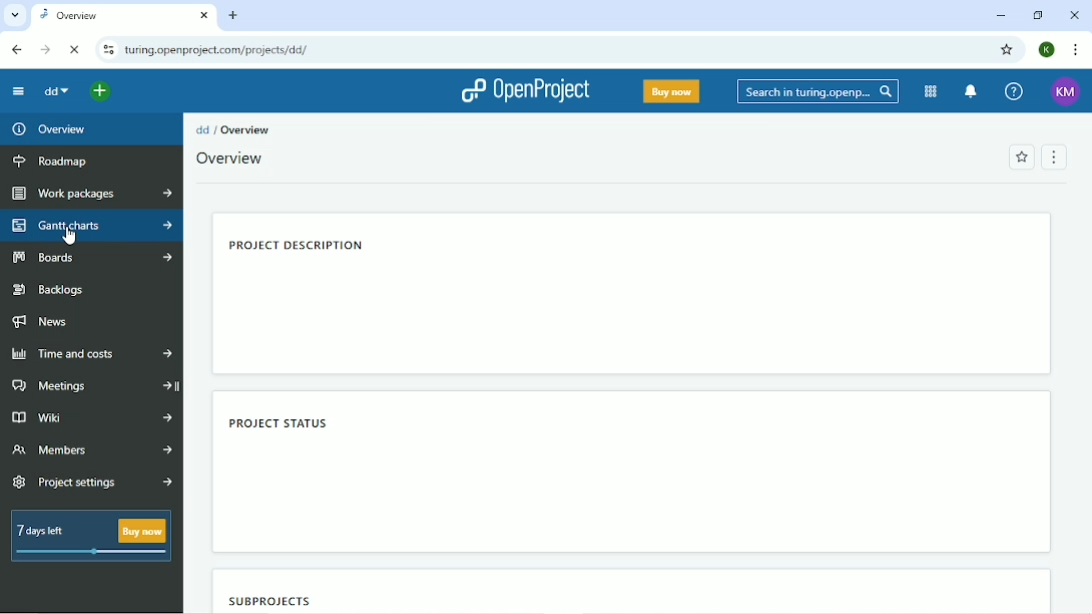 The height and width of the screenshot is (614, 1092). What do you see at coordinates (51, 129) in the screenshot?
I see `Overview` at bounding box center [51, 129].